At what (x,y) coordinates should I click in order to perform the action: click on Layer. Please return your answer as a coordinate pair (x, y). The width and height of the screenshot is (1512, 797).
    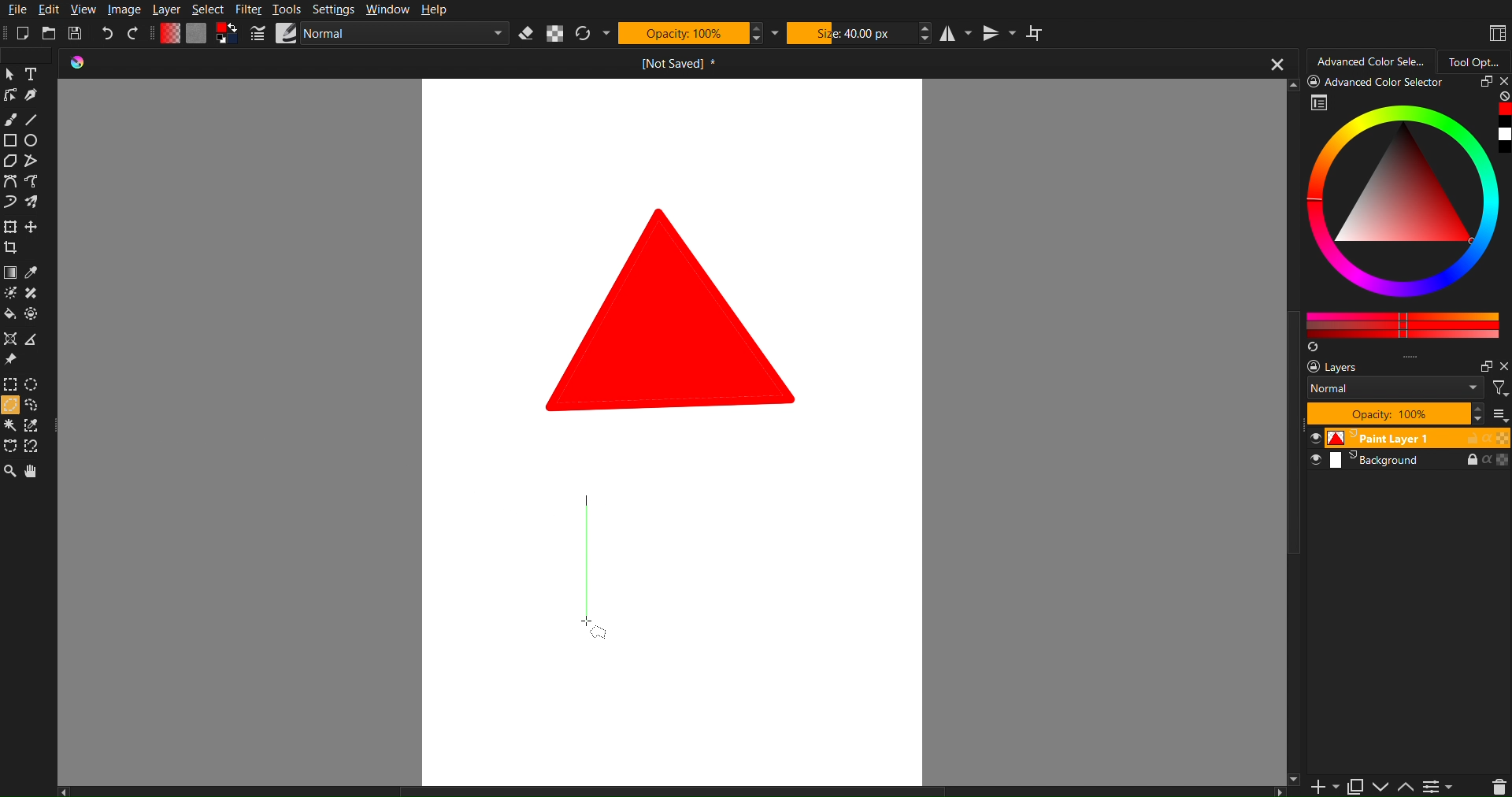
    Looking at the image, I should click on (165, 10).